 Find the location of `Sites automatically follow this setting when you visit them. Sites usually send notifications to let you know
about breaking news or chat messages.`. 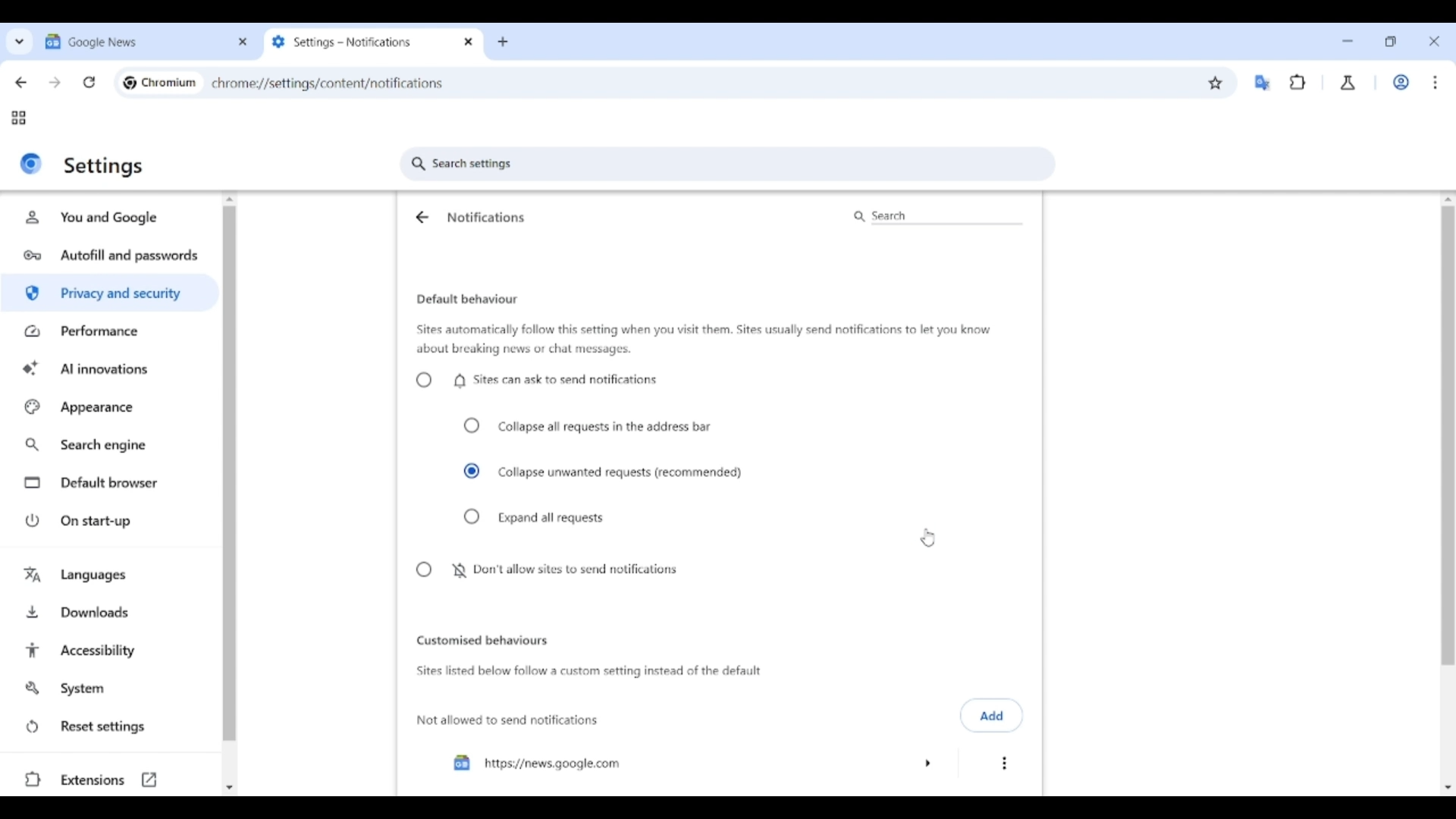

Sites automatically follow this setting when you visit them. Sites usually send notifications to let you know
about breaking news or chat messages. is located at coordinates (704, 340).